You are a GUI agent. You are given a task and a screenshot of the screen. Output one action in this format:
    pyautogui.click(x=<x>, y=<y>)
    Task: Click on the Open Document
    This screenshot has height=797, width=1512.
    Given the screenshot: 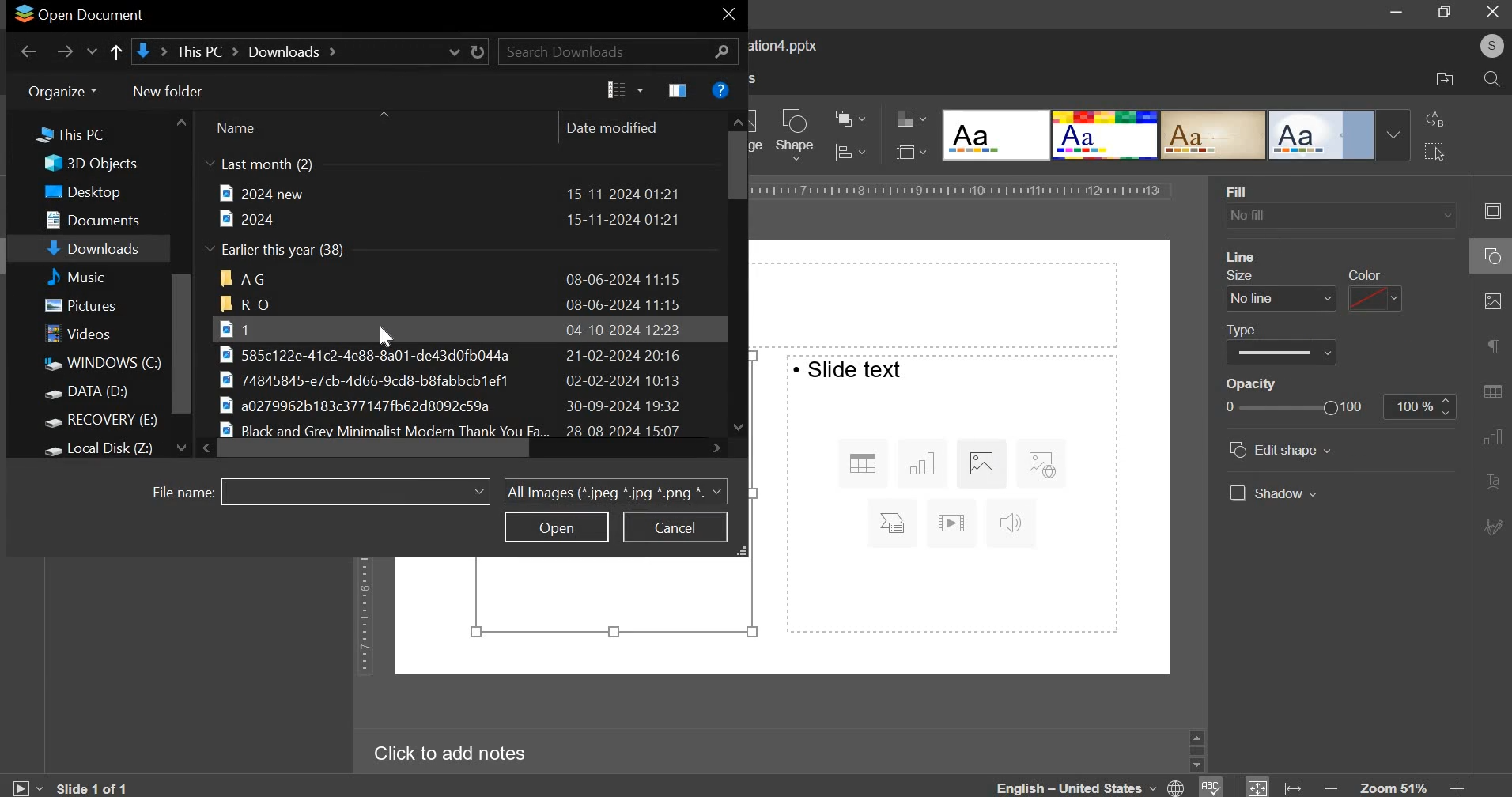 What is the action you would take?
    pyautogui.click(x=81, y=15)
    